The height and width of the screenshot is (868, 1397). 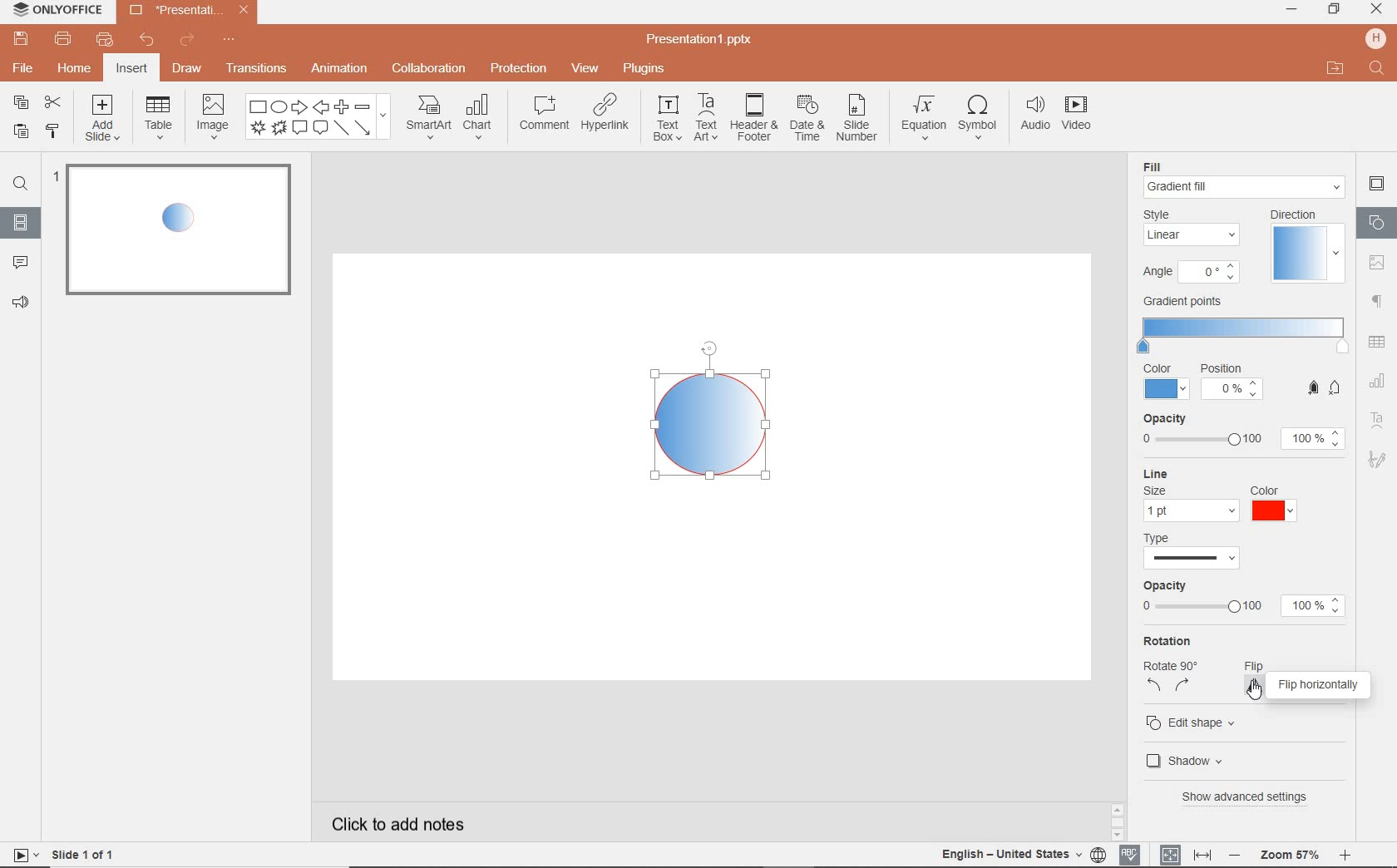 What do you see at coordinates (1119, 820) in the screenshot?
I see `scrollbar` at bounding box center [1119, 820].